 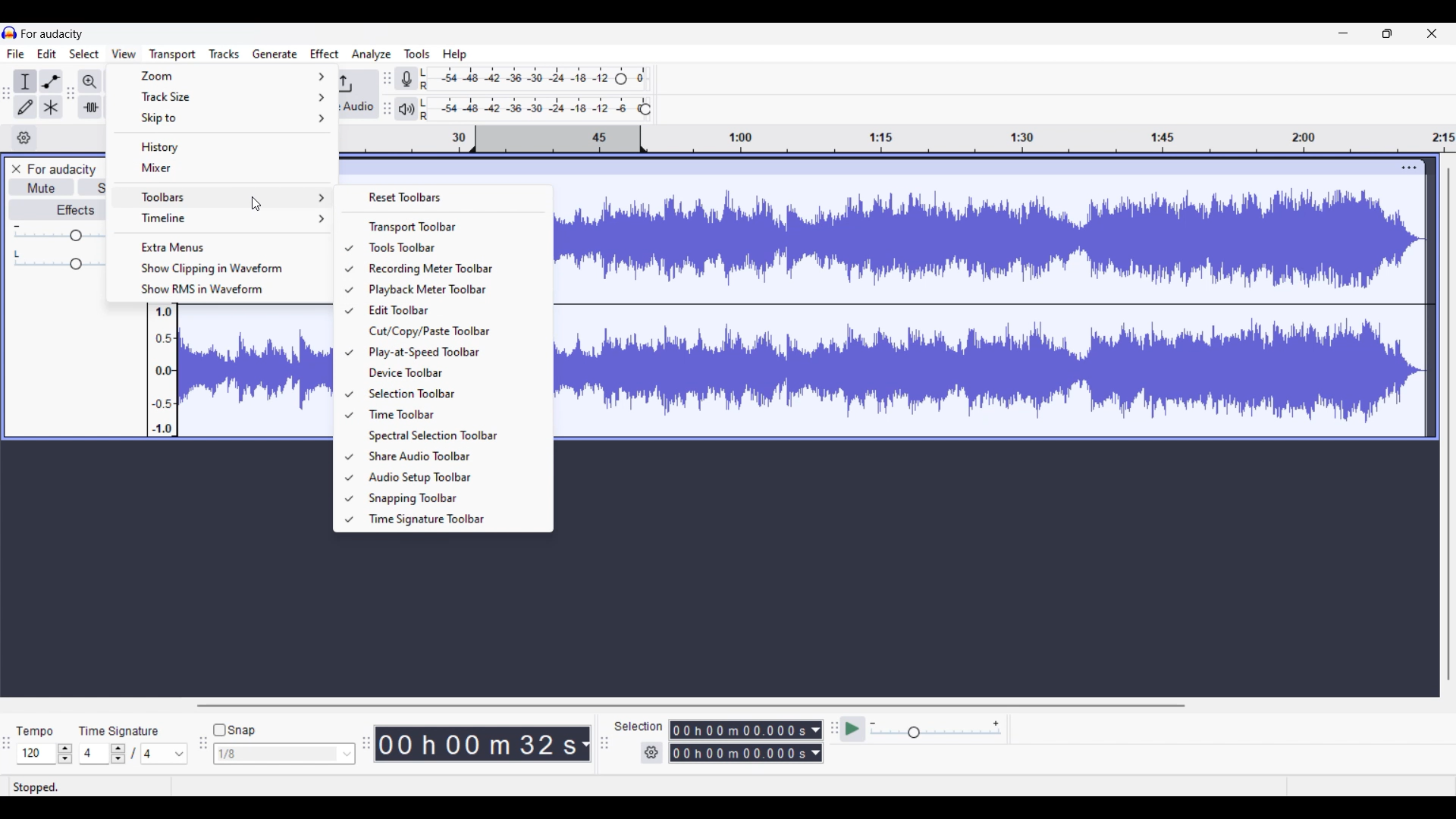 What do you see at coordinates (450, 520) in the screenshot?
I see `Time signature toolbar` at bounding box center [450, 520].